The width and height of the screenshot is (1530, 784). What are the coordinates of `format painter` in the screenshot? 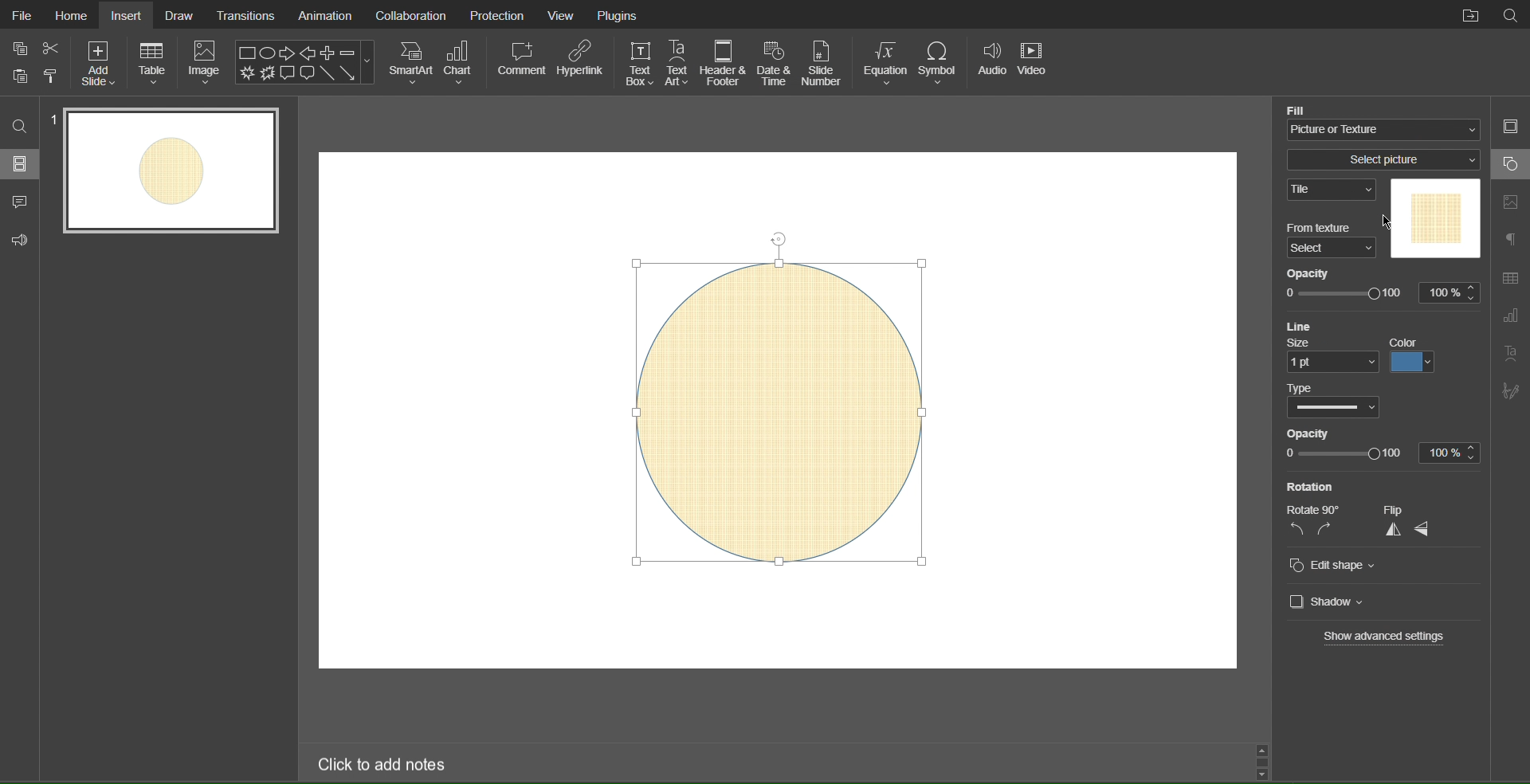 It's located at (56, 77).